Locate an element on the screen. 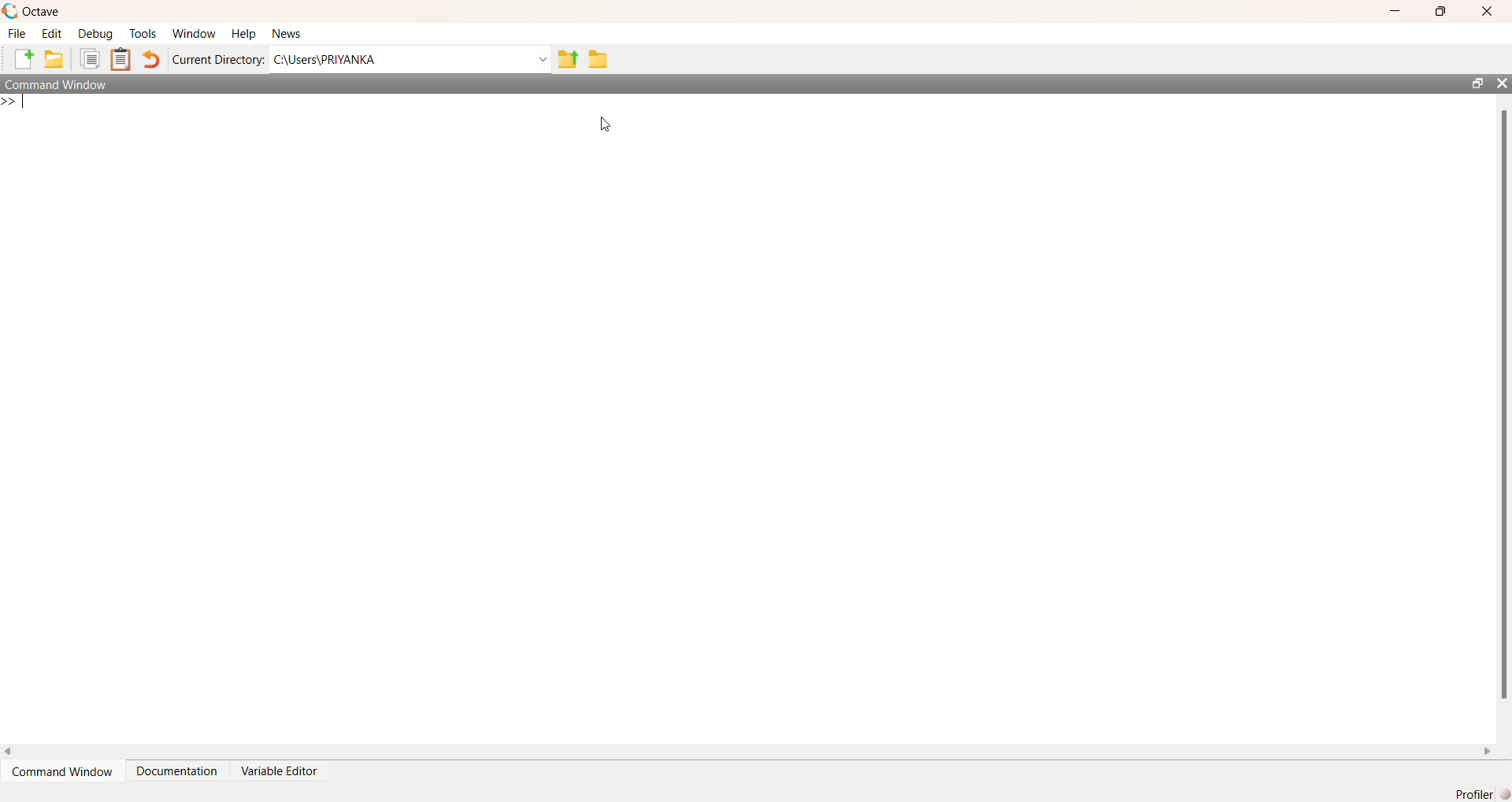 Image resolution: width=1512 pixels, height=802 pixels. scroll bar is located at coordinates (1502, 403).